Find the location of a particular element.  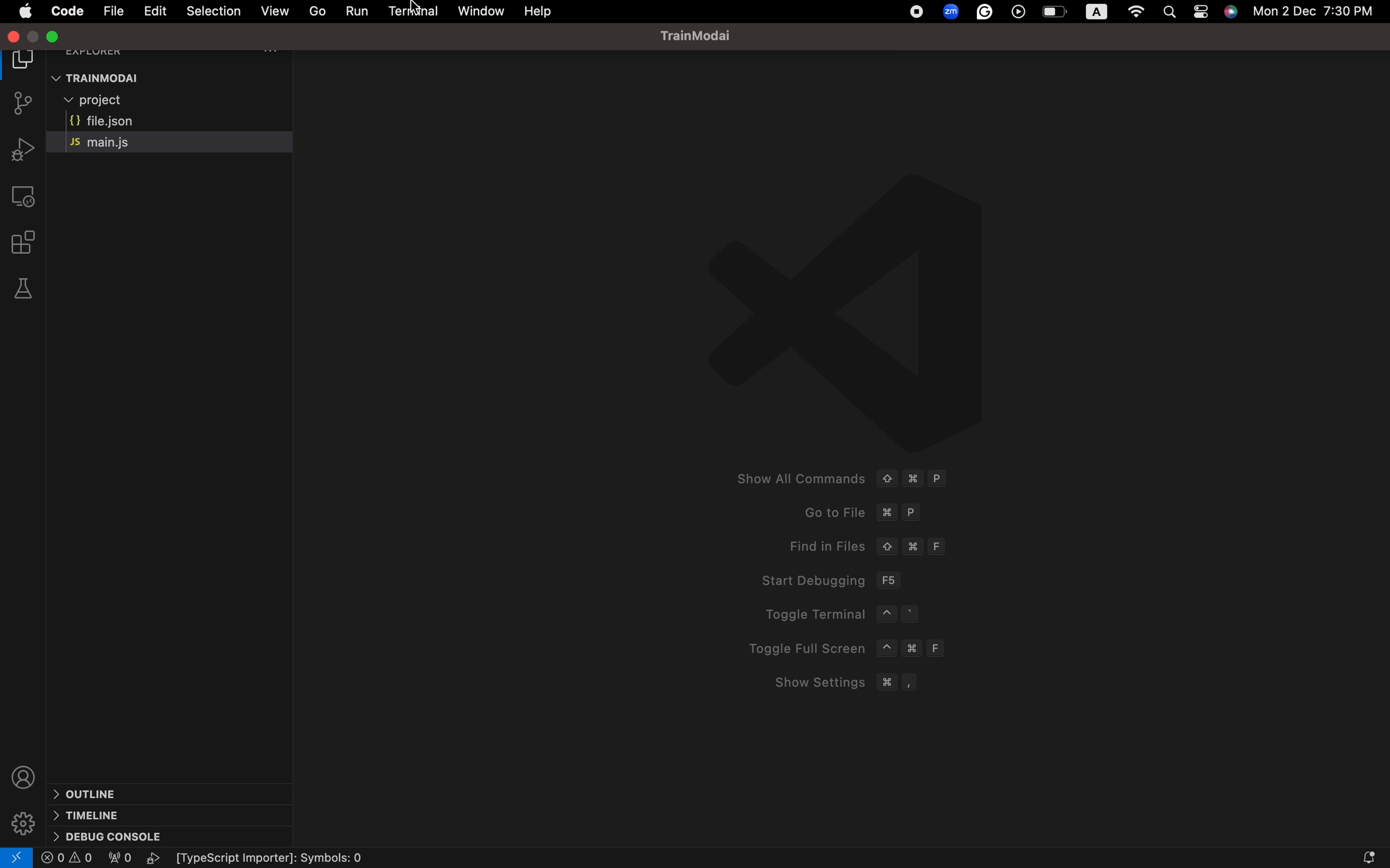

Show All Commands © # P
Goto File ¥# P
Find in Files © 3% F
Start Debugging F56
Toggle Terminal ~ °
Toggle Full Screen ~ # F
Show Settings # , is located at coordinates (835, 477).